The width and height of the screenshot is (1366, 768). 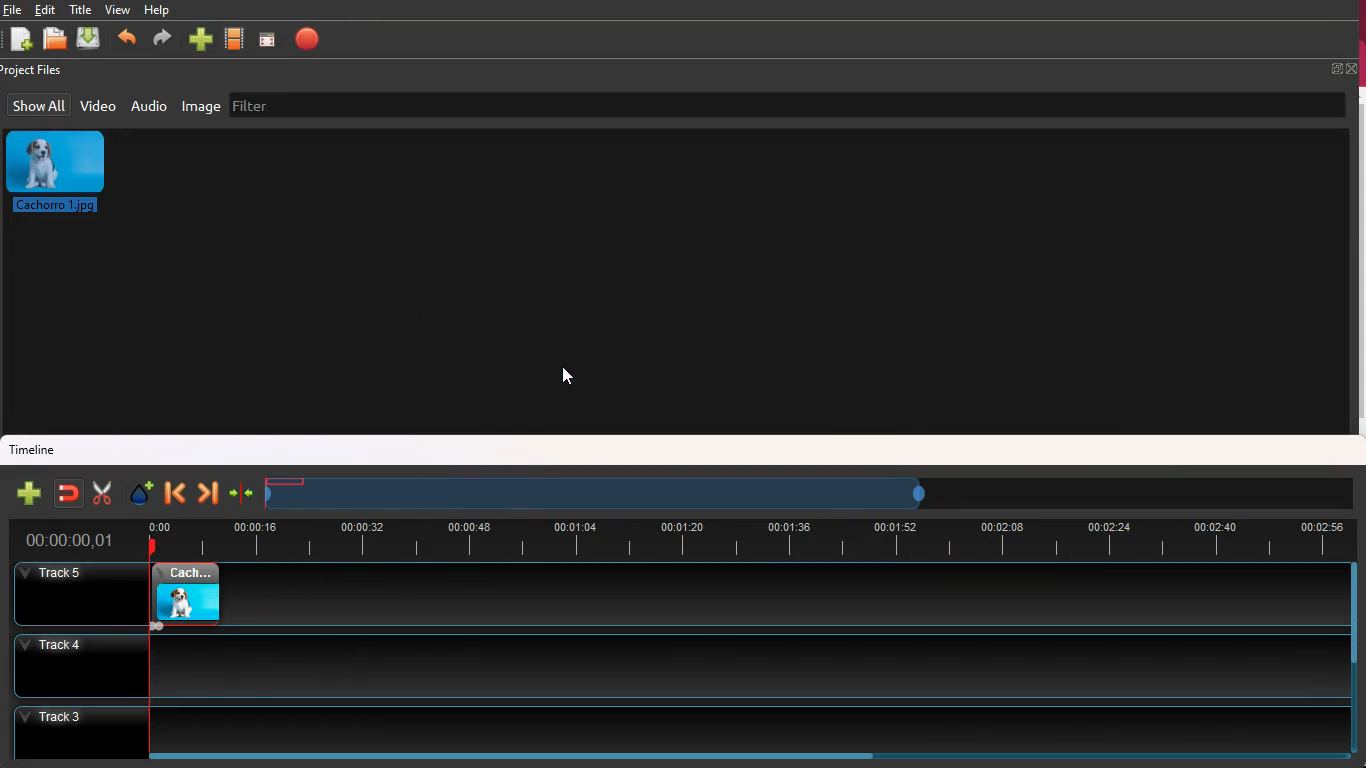 I want to click on fade in, so click(x=158, y=626).